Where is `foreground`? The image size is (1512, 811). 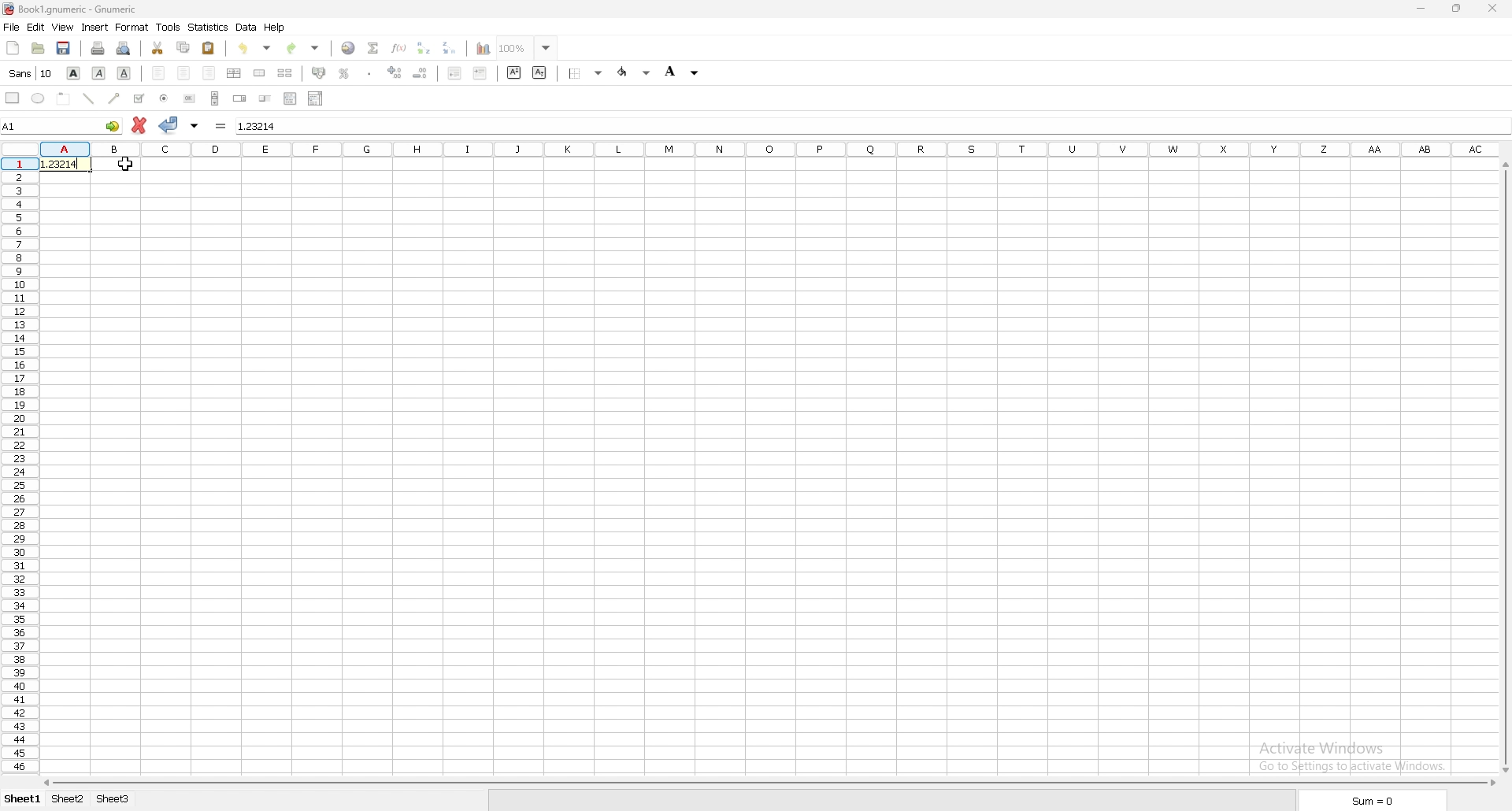 foreground is located at coordinates (634, 72).